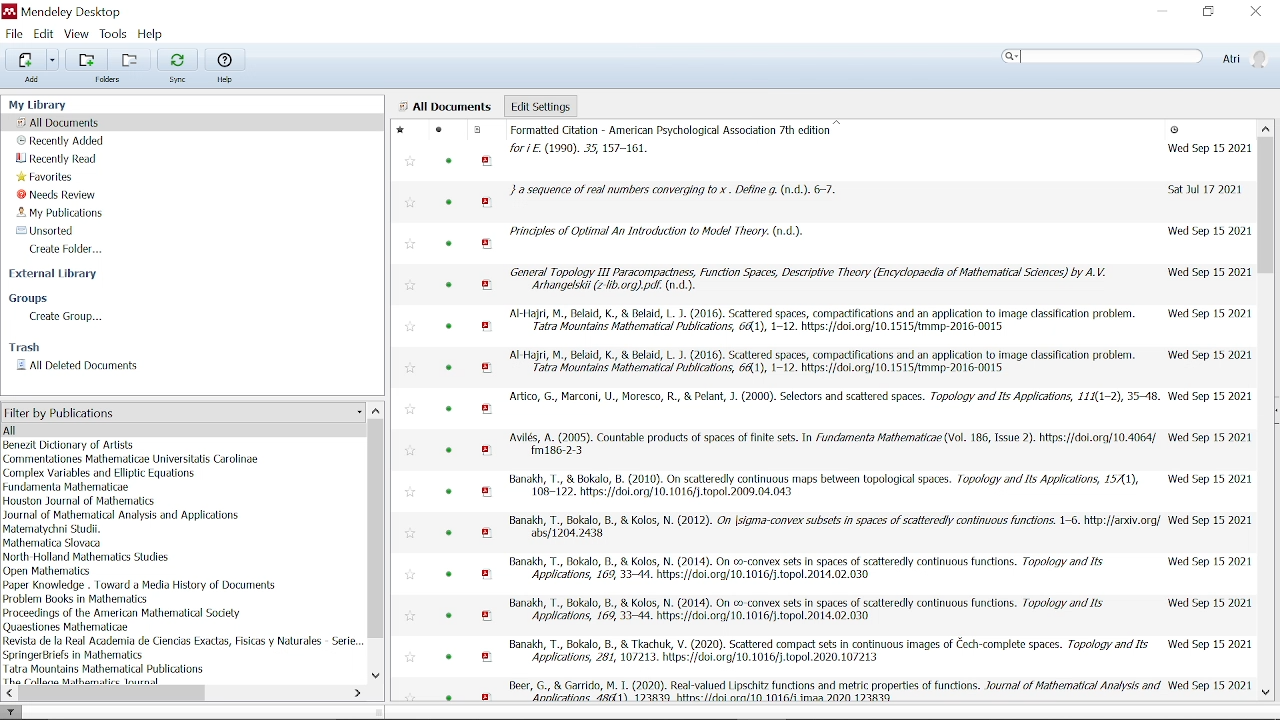  What do you see at coordinates (439, 131) in the screenshot?
I see `read status` at bounding box center [439, 131].